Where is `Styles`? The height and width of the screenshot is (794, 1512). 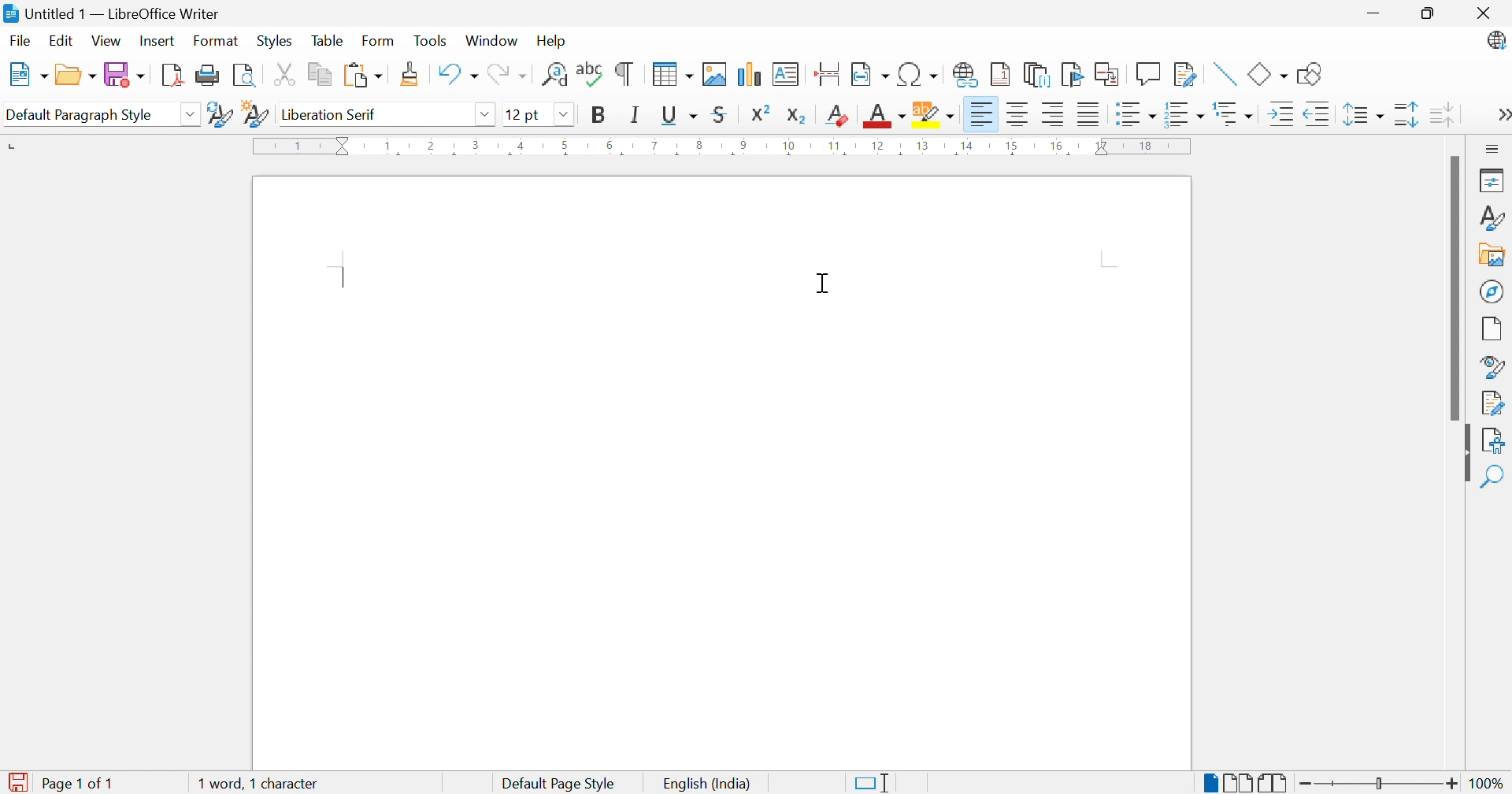 Styles is located at coordinates (1495, 220).